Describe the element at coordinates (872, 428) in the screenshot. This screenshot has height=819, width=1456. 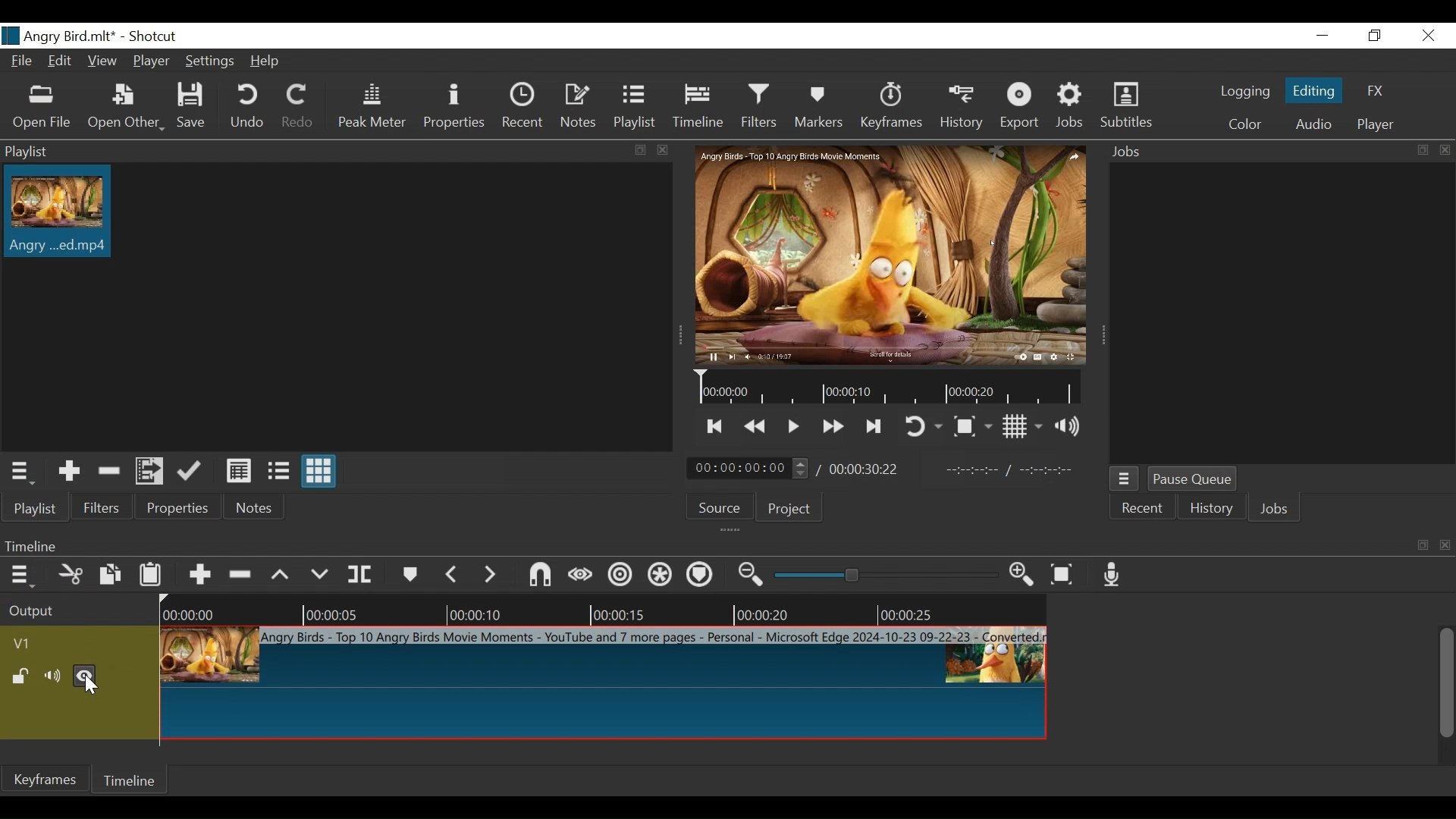
I see `Skip to the next point` at that location.